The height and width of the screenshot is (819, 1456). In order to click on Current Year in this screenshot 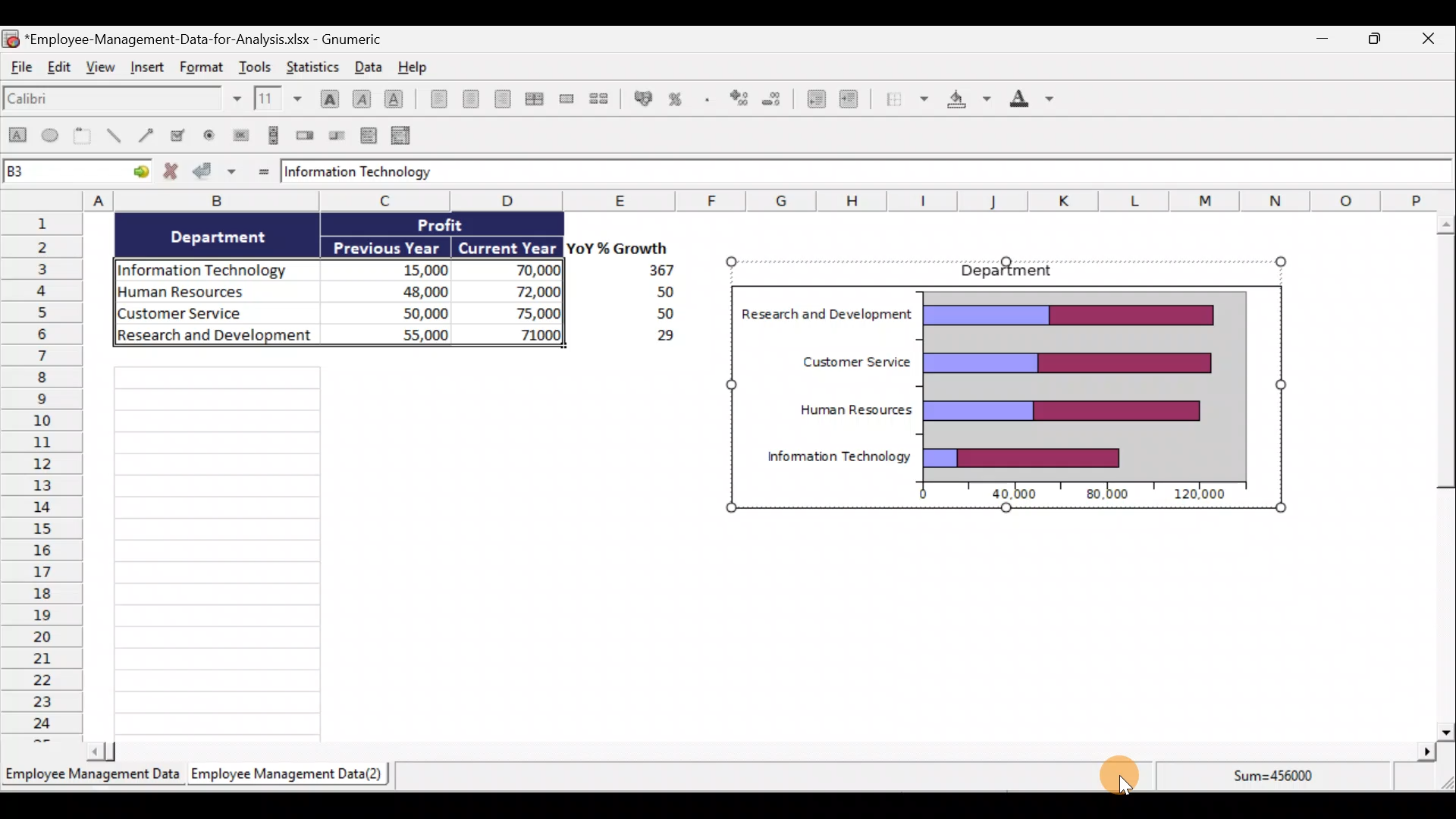, I will do `click(508, 246)`.